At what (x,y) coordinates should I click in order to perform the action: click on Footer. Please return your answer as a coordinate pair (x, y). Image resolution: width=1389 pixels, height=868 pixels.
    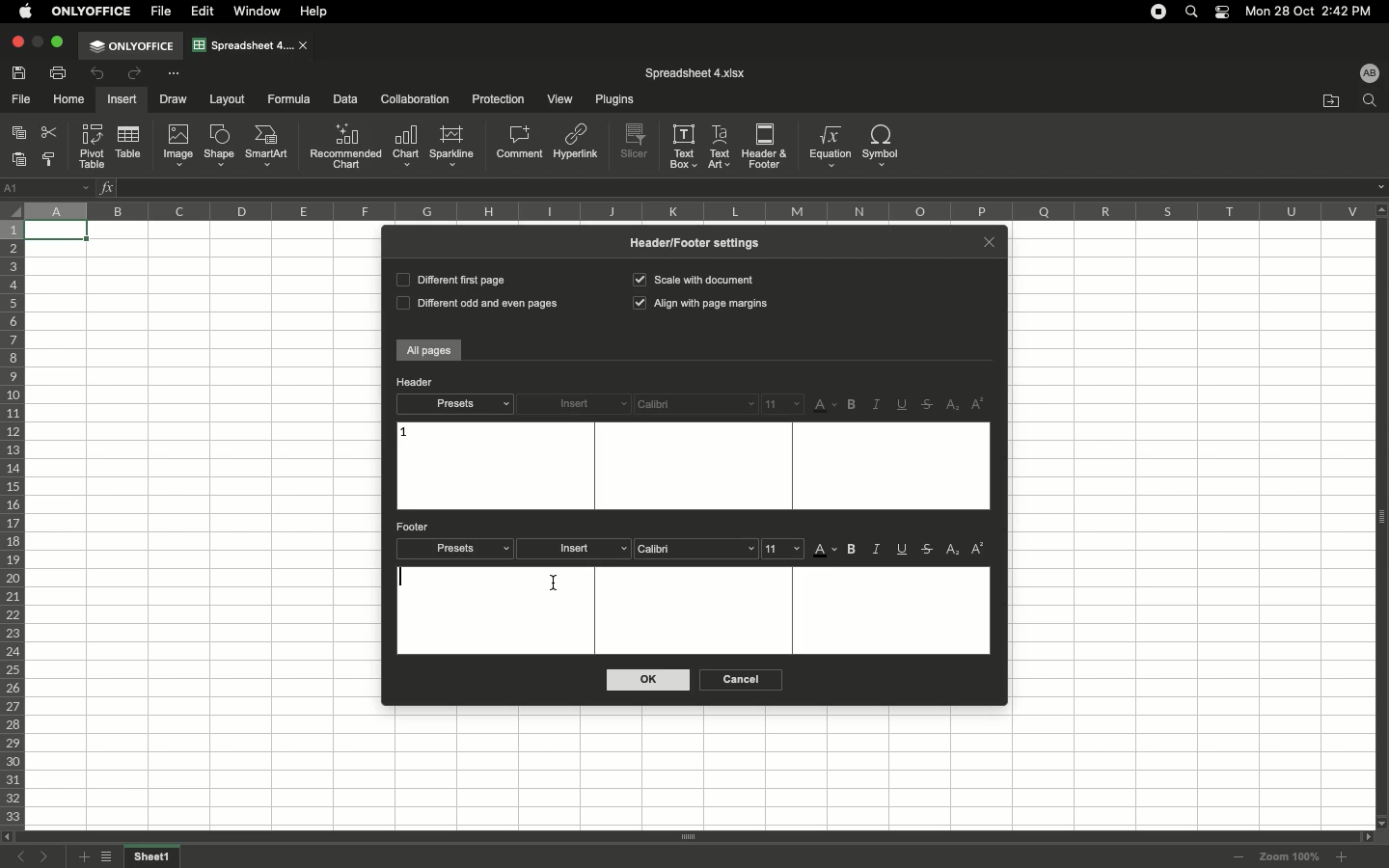
    Looking at the image, I should click on (415, 527).